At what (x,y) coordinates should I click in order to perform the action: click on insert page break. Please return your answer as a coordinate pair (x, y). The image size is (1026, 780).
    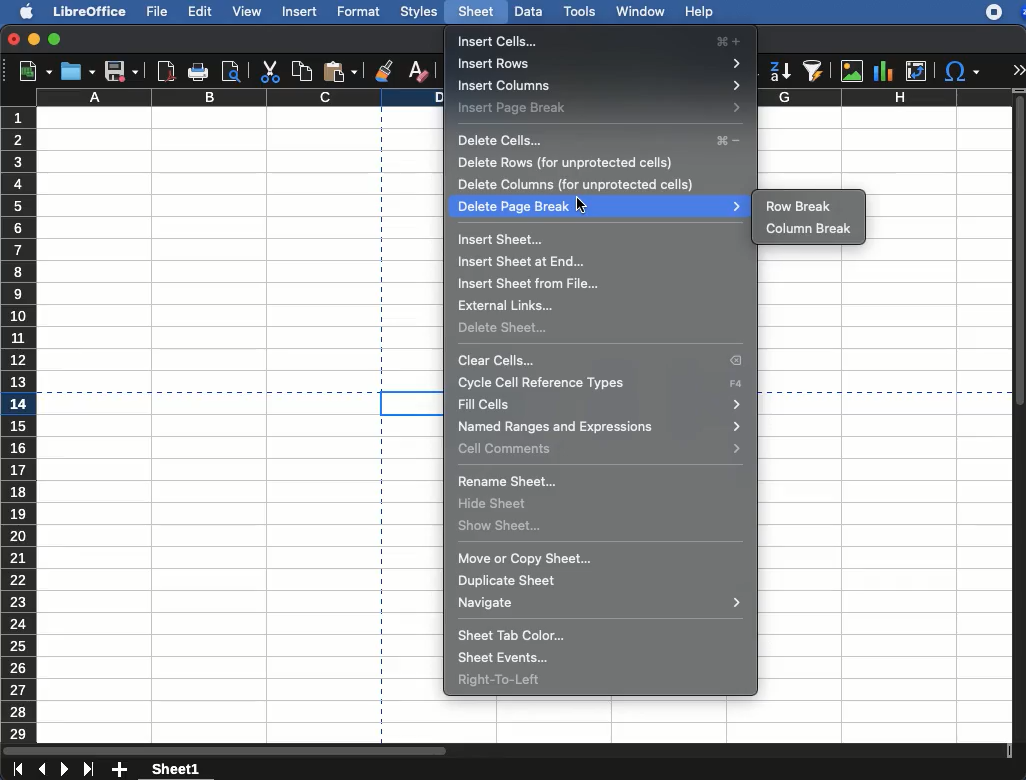
    Looking at the image, I should click on (600, 109).